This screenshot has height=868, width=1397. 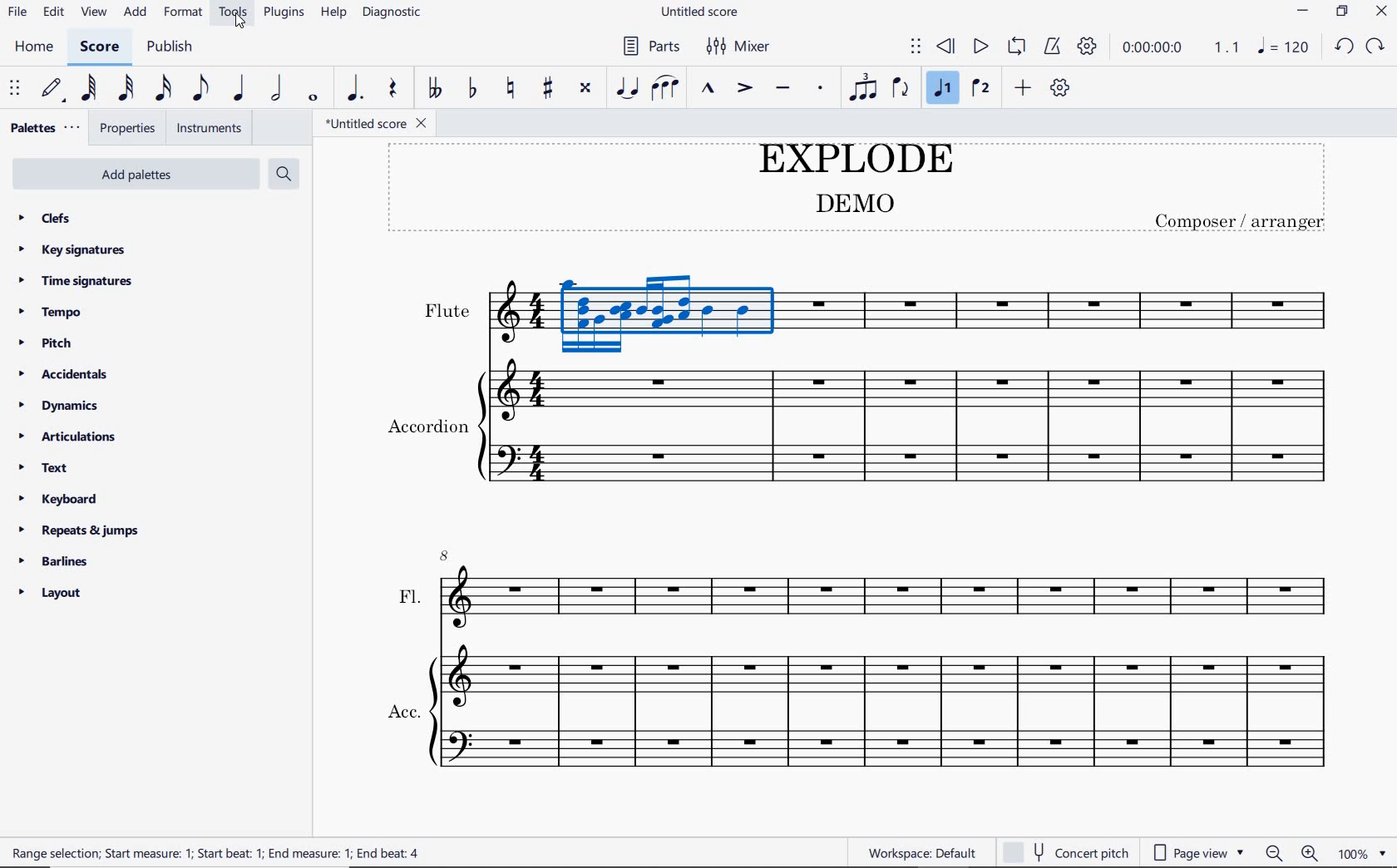 What do you see at coordinates (978, 47) in the screenshot?
I see `play` at bounding box center [978, 47].